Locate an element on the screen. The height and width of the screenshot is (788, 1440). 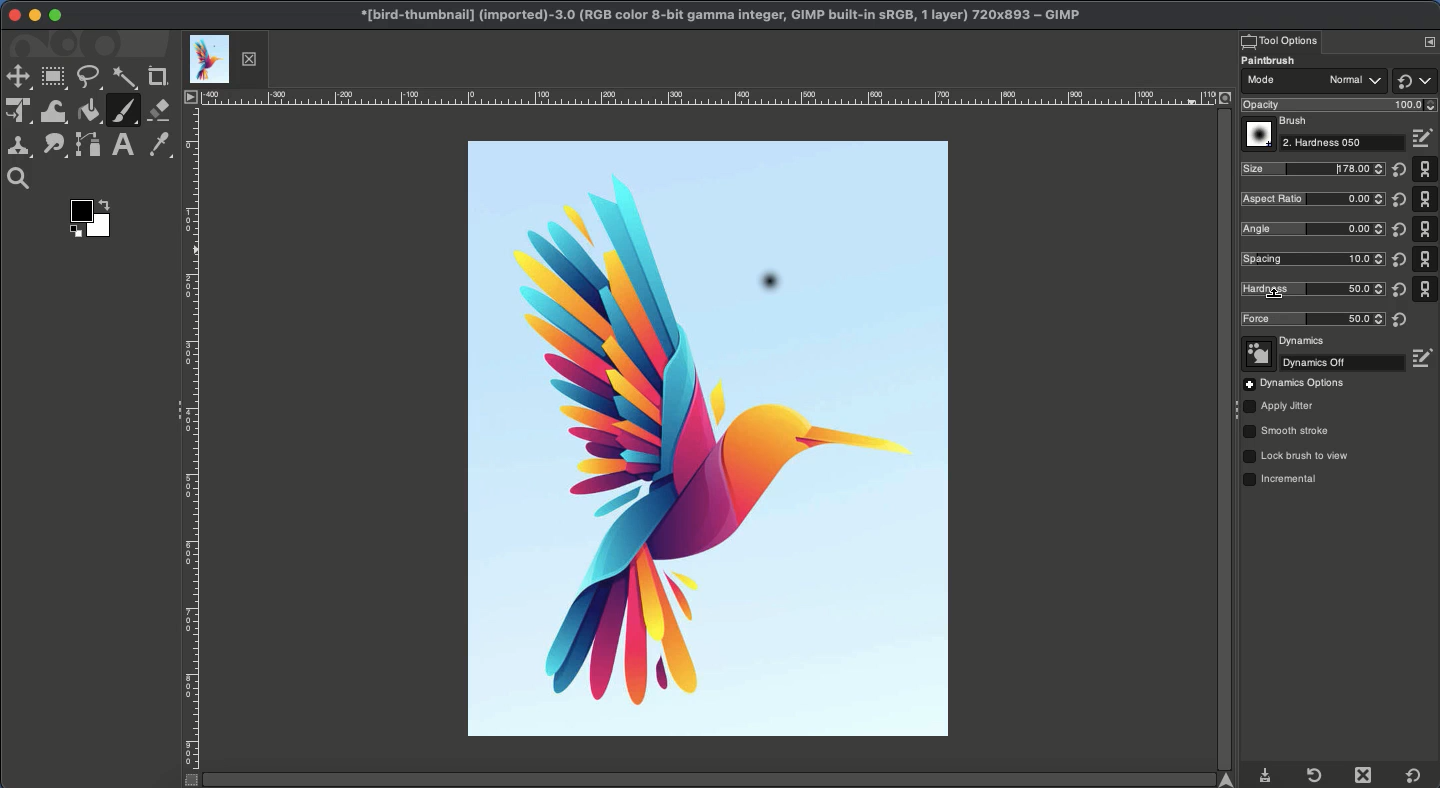
Hardness is located at coordinates (1308, 288).